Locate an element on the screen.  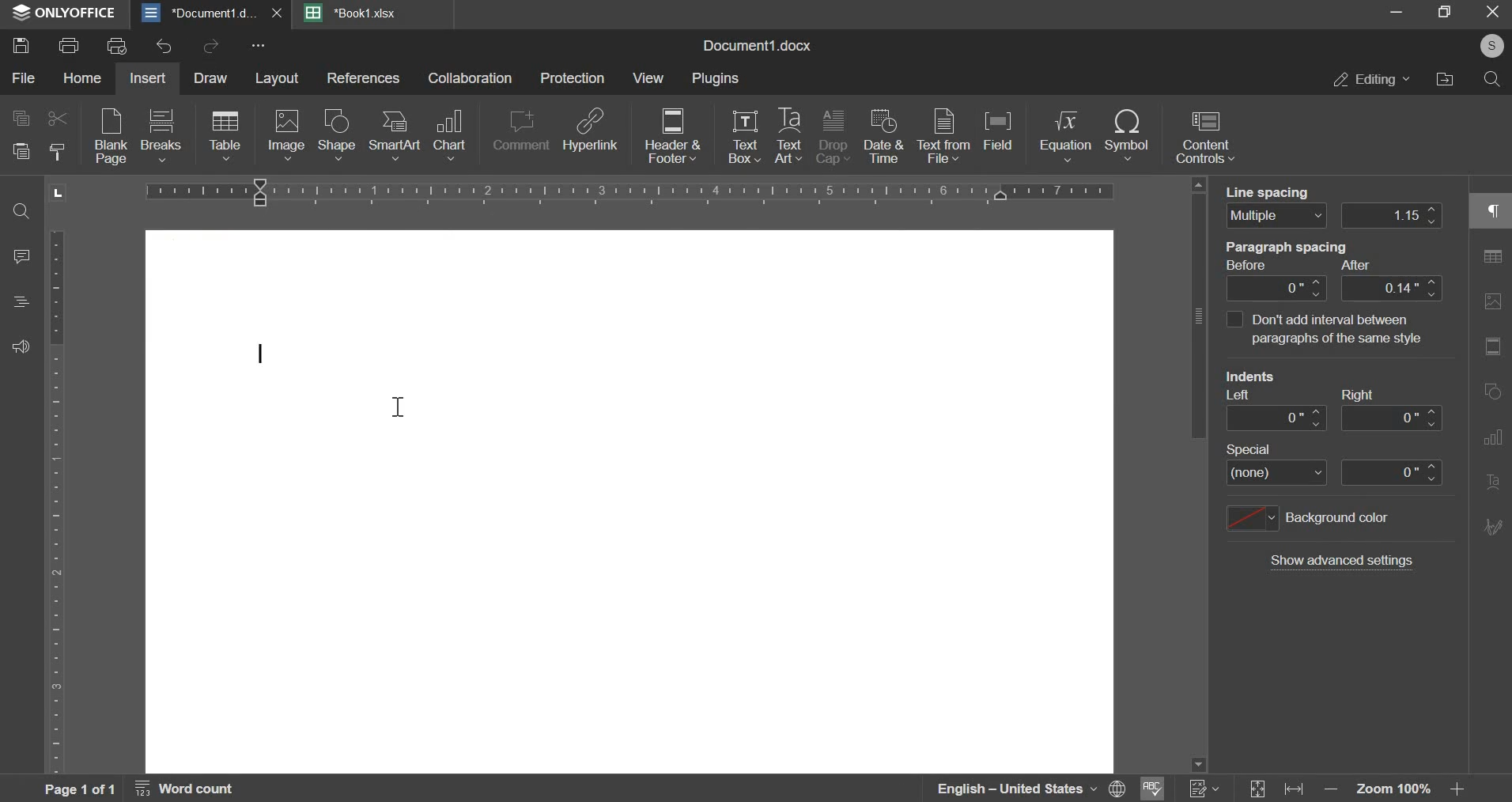
cut is located at coordinates (57, 117).